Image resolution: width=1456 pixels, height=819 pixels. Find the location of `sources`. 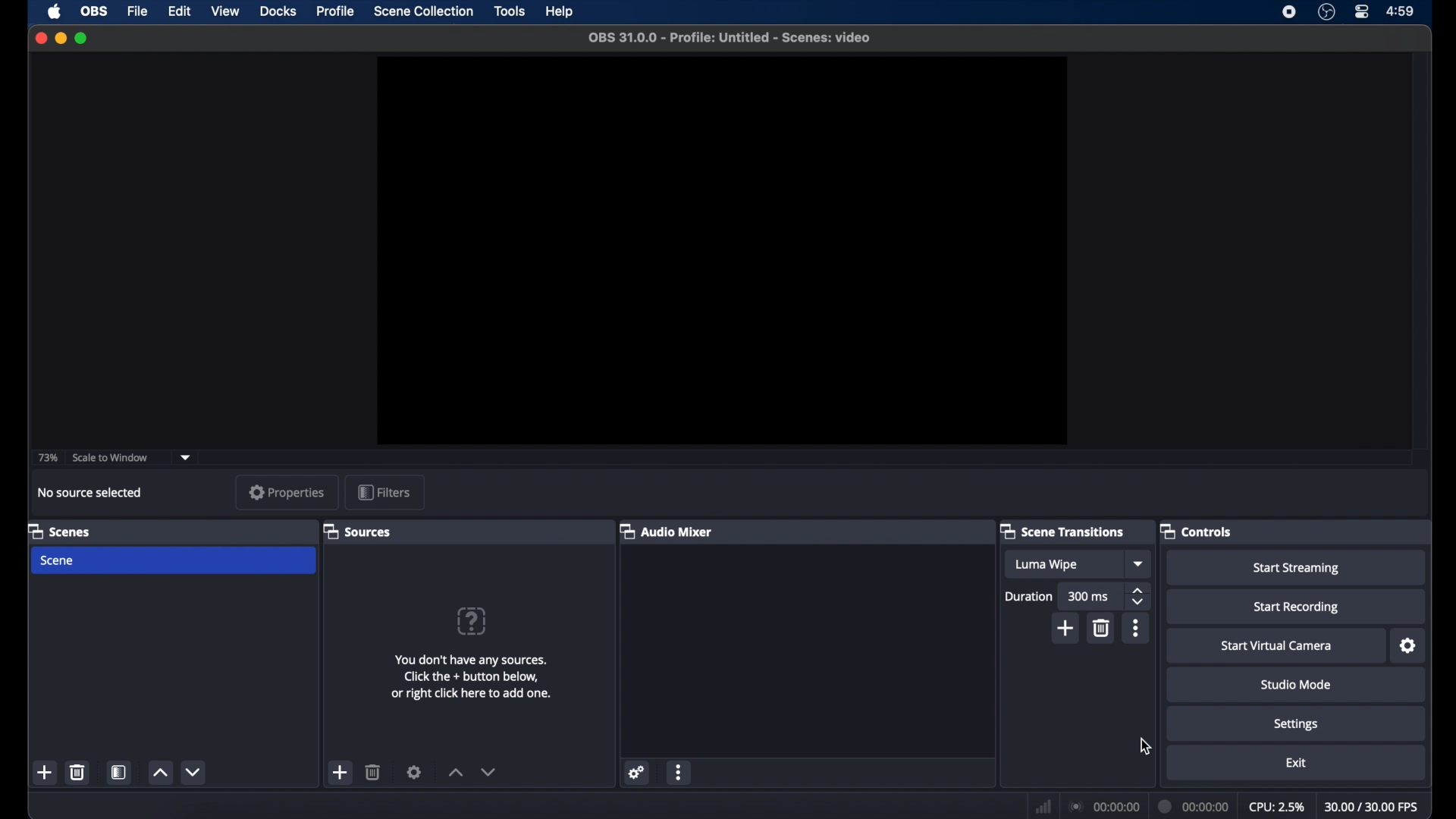

sources is located at coordinates (358, 532).